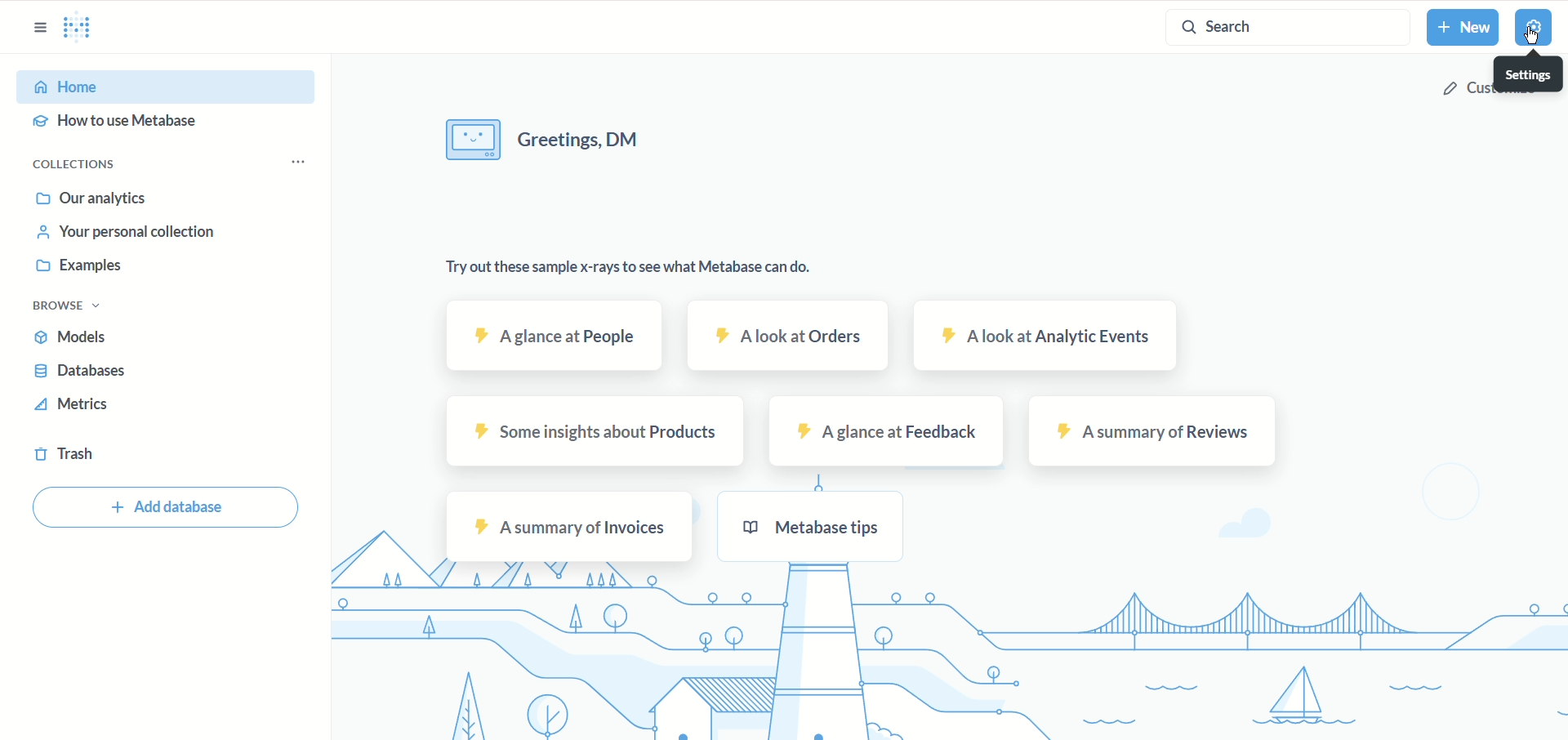 The height and width of the screenshot is (740, 1568). I want to click on Trash, so click(130, 455).